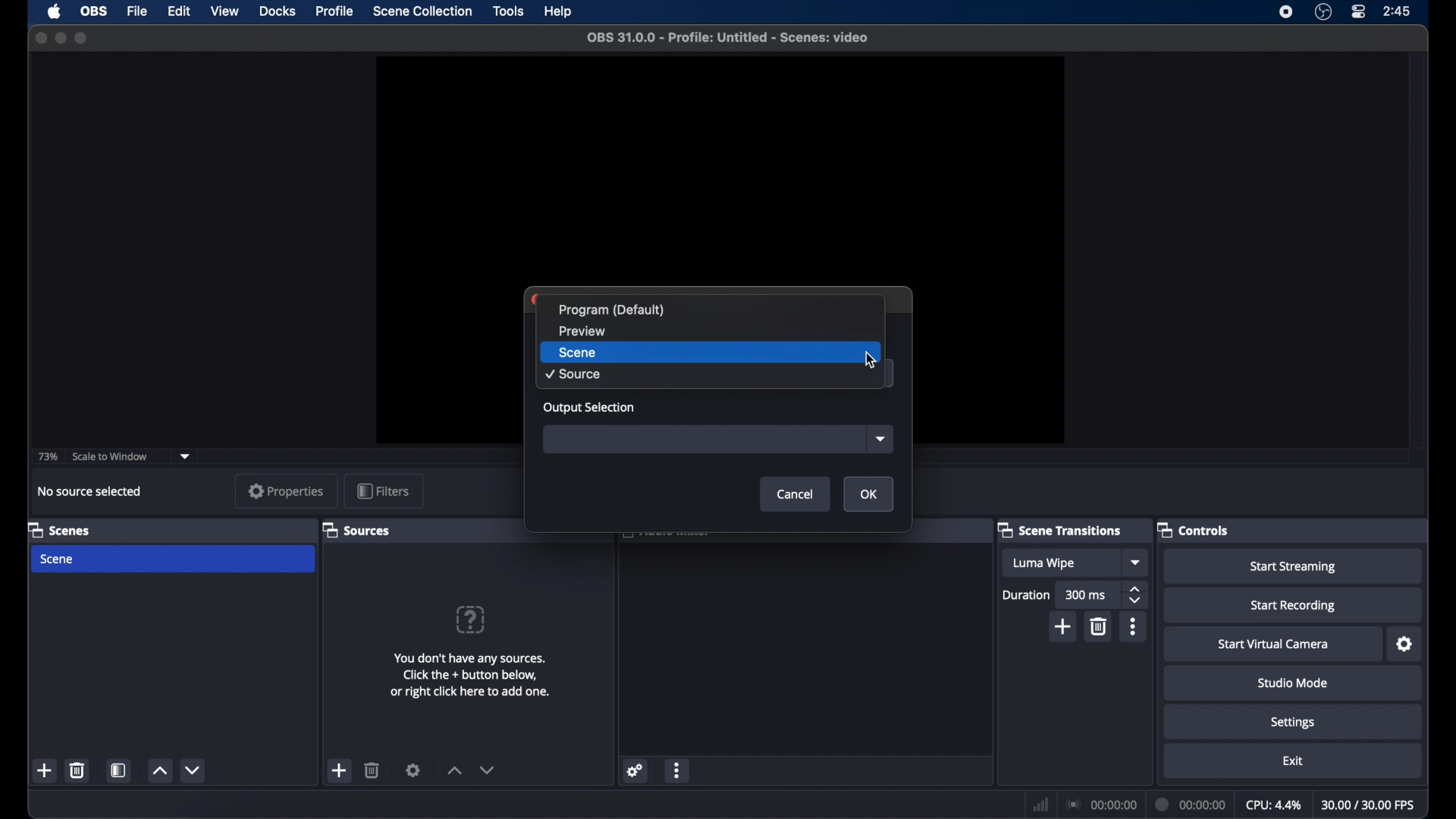 This screenshot has width=1456, height=819. I want to click on scale to window, so click(110, 456).